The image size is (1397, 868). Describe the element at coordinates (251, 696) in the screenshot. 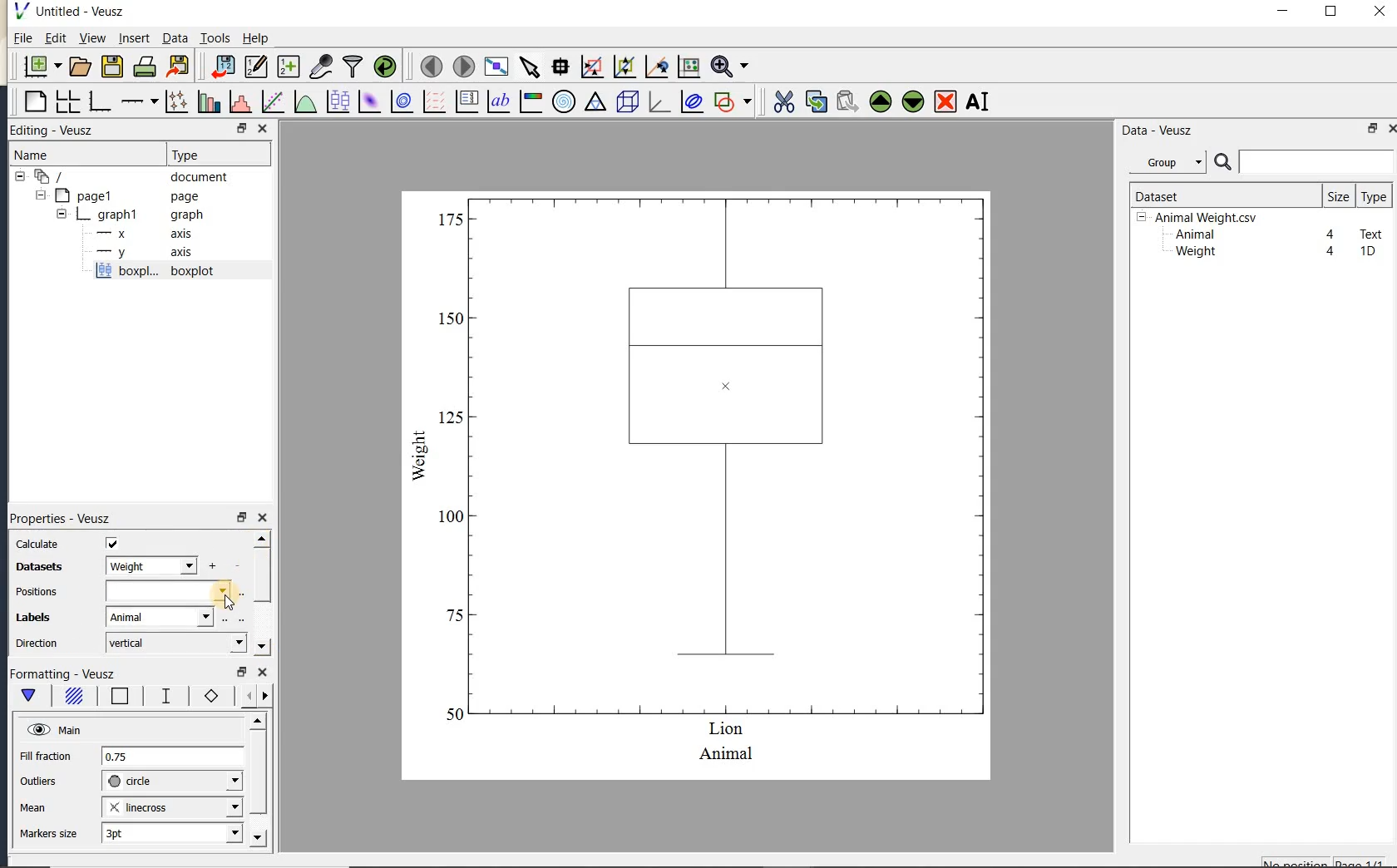

I see `minor ticks` at that location.